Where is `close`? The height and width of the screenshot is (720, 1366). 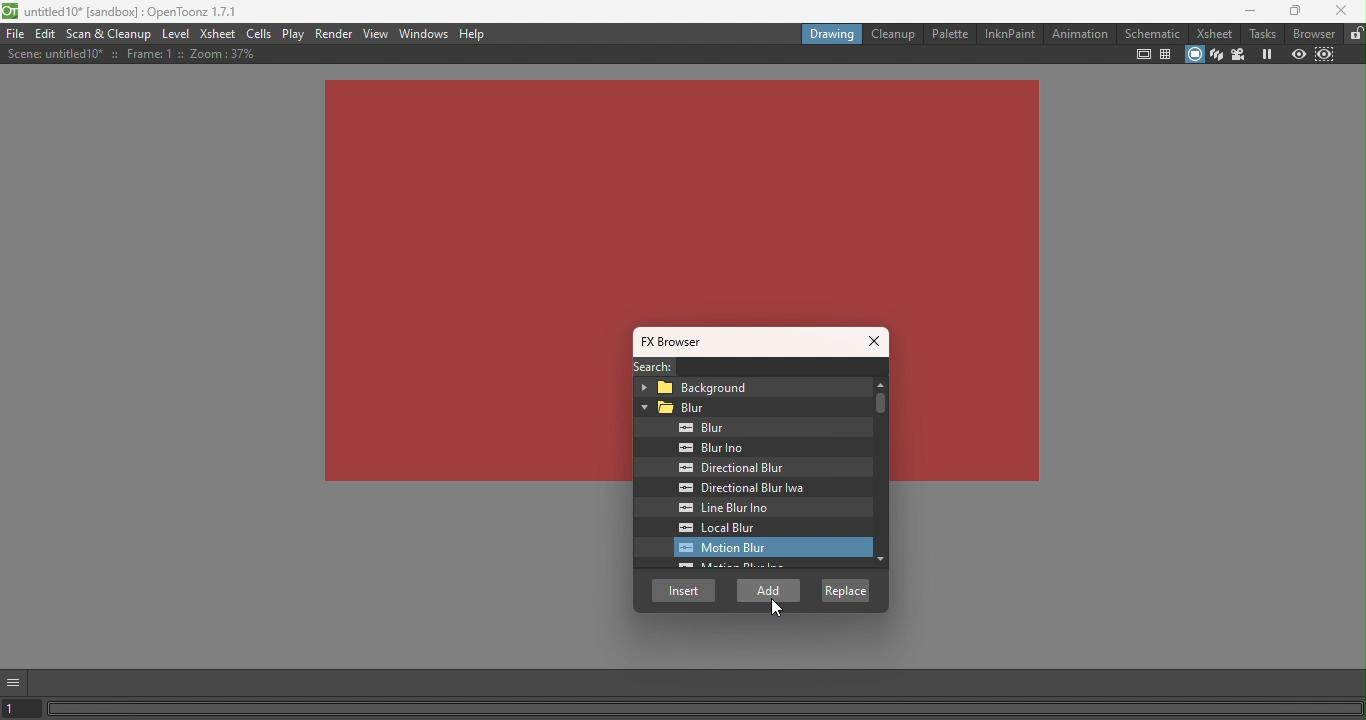 close is located at coordinates (1342, 9).